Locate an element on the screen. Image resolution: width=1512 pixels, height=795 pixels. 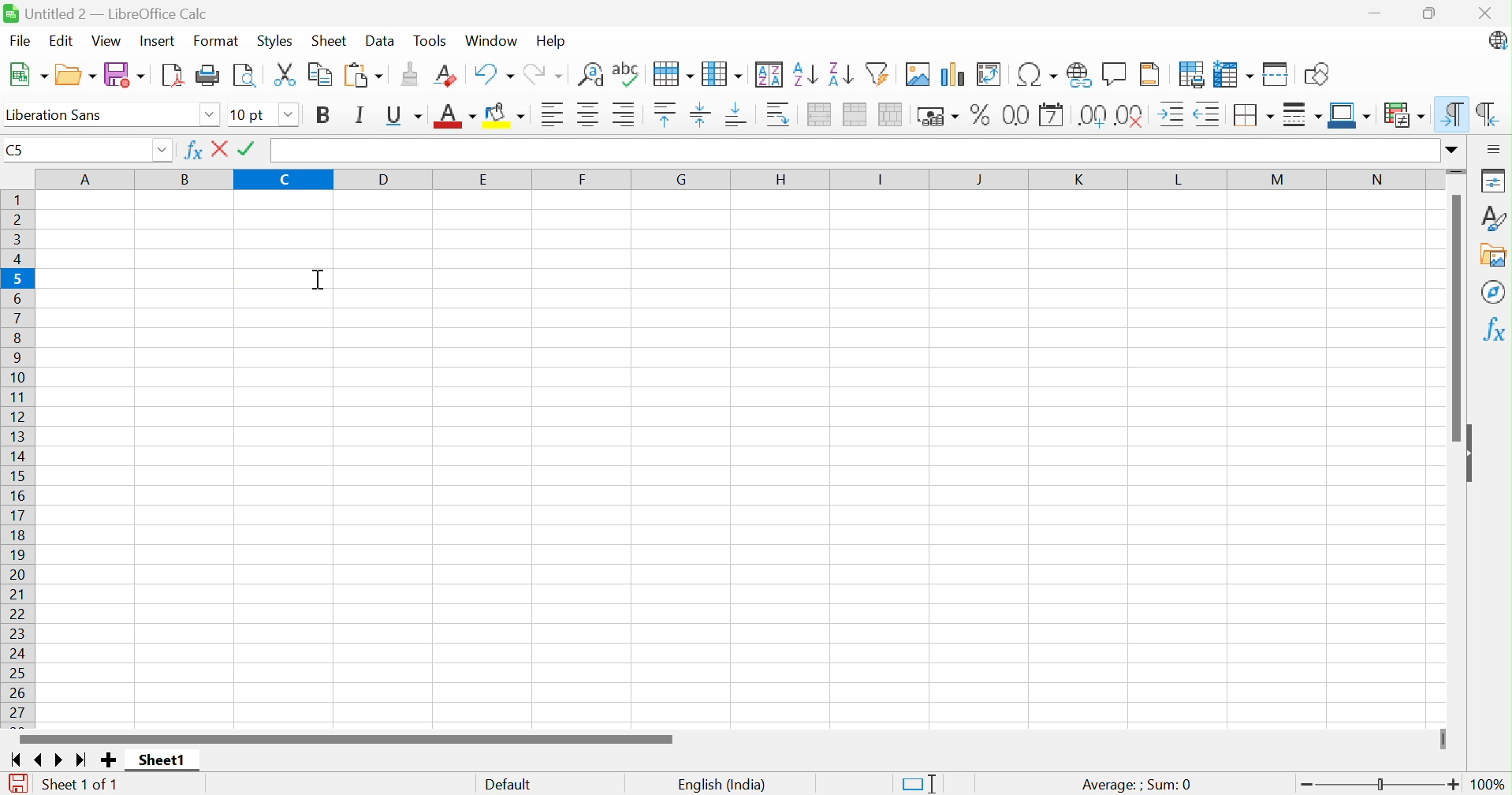
Clone formatting is located at coordinates (408, 74).